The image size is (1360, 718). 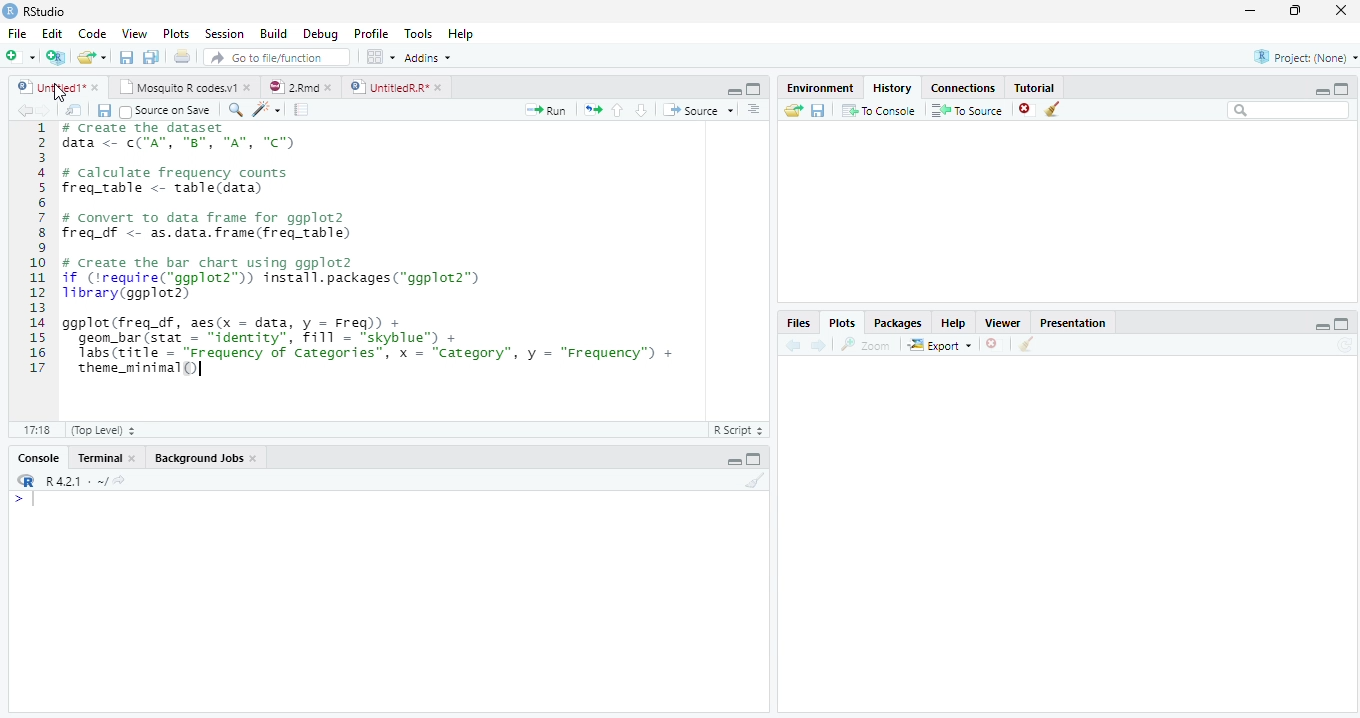 I want to click on Untitled, so click(x=60, y=88).